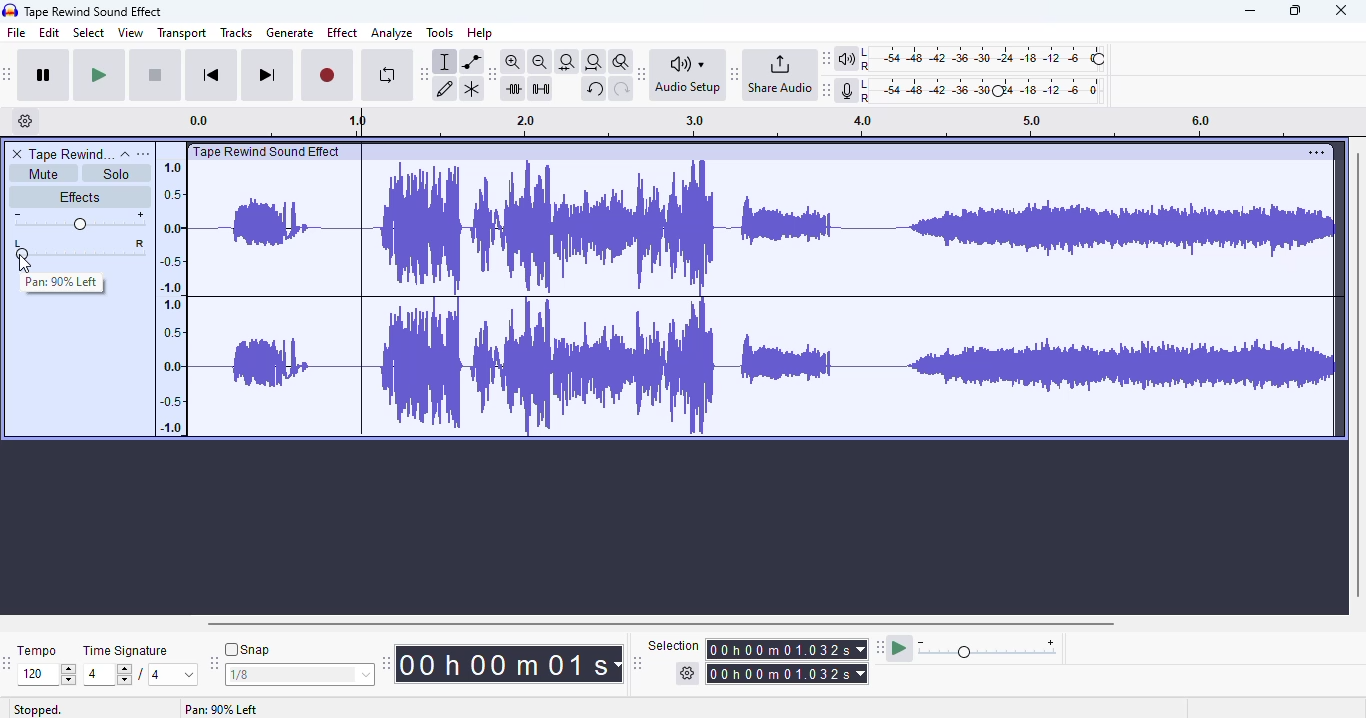 Image resolution: width=1366 pixels, height=718 pixels. Describe the element at coordinates (541, 89) in the screenshot. I see `silence audio selection` at that location.